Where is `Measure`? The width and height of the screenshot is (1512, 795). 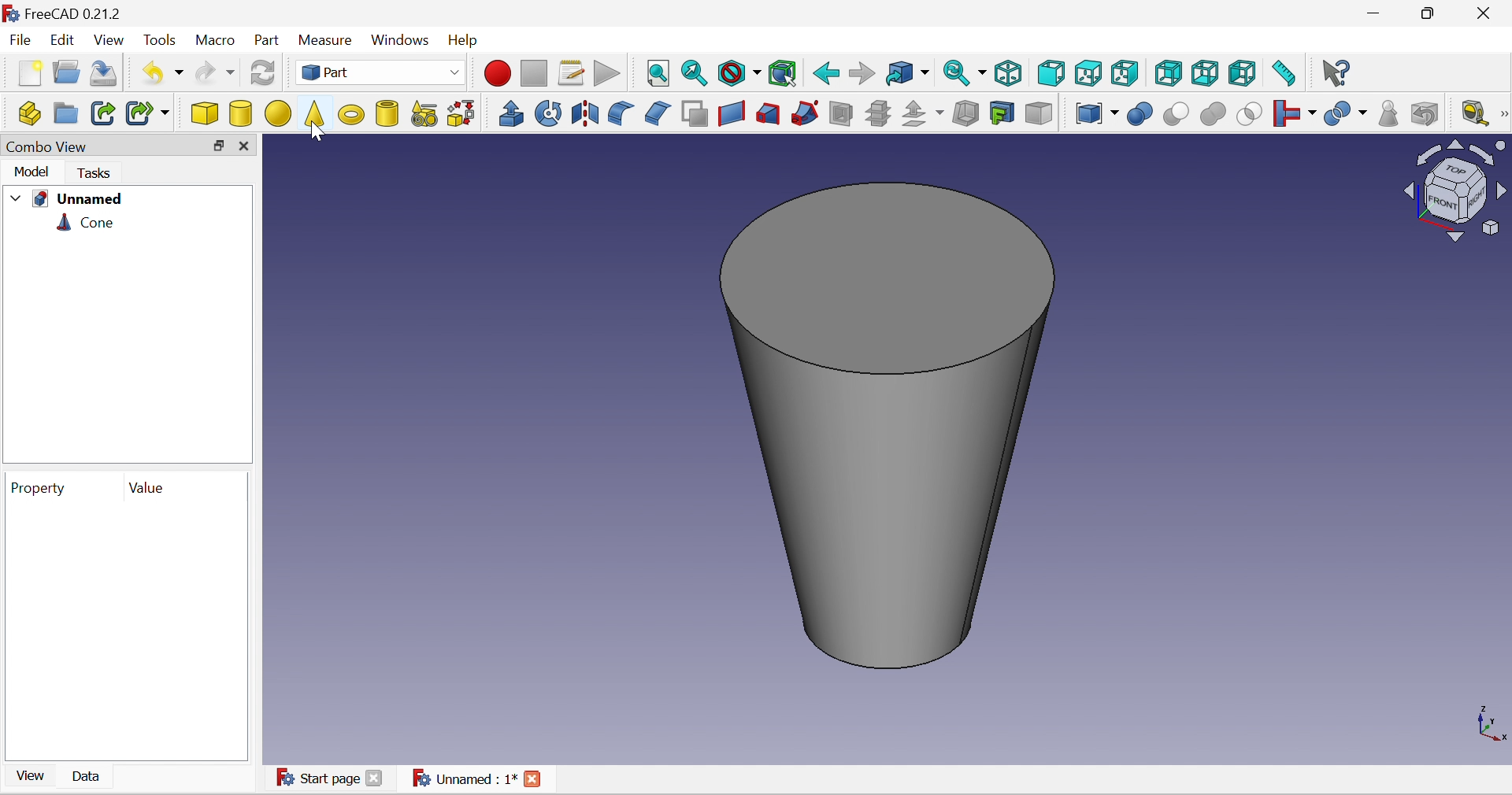 Measure is located at coordinates (326, 40).